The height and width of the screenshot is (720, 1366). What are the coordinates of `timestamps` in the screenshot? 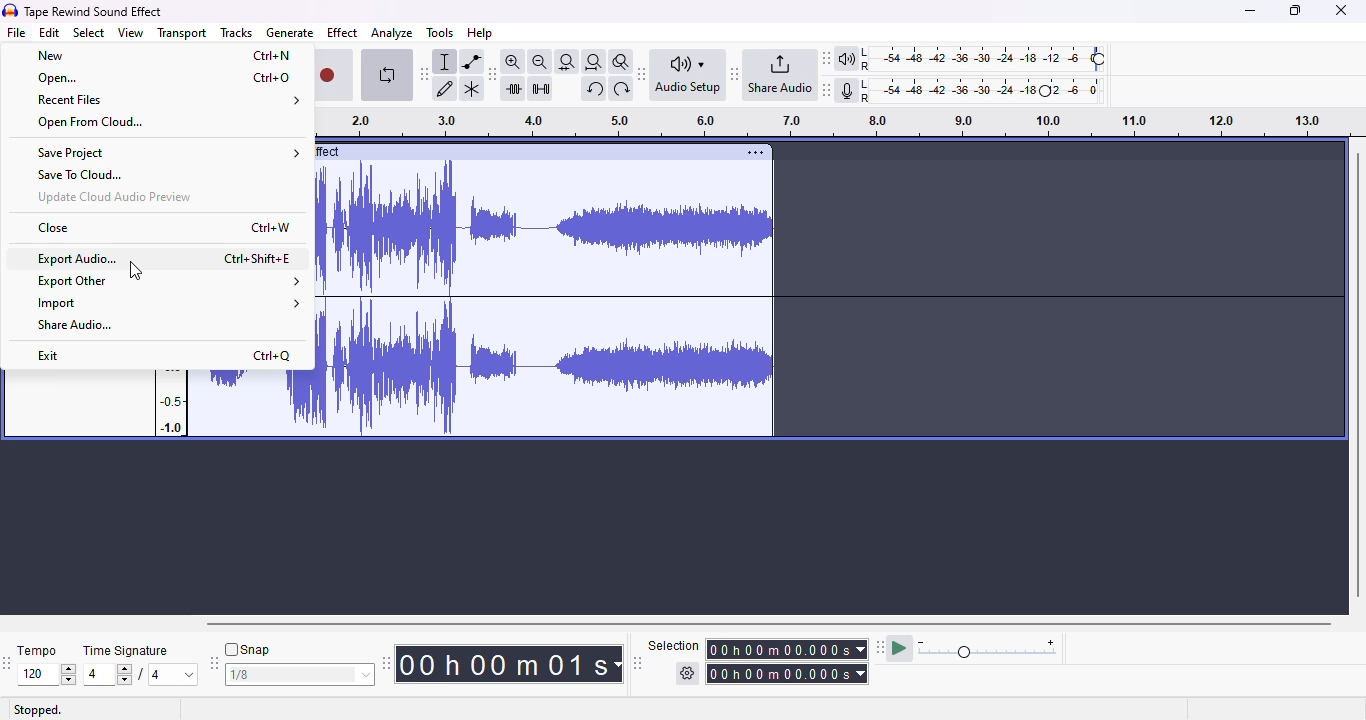 It's located at (172, 403).